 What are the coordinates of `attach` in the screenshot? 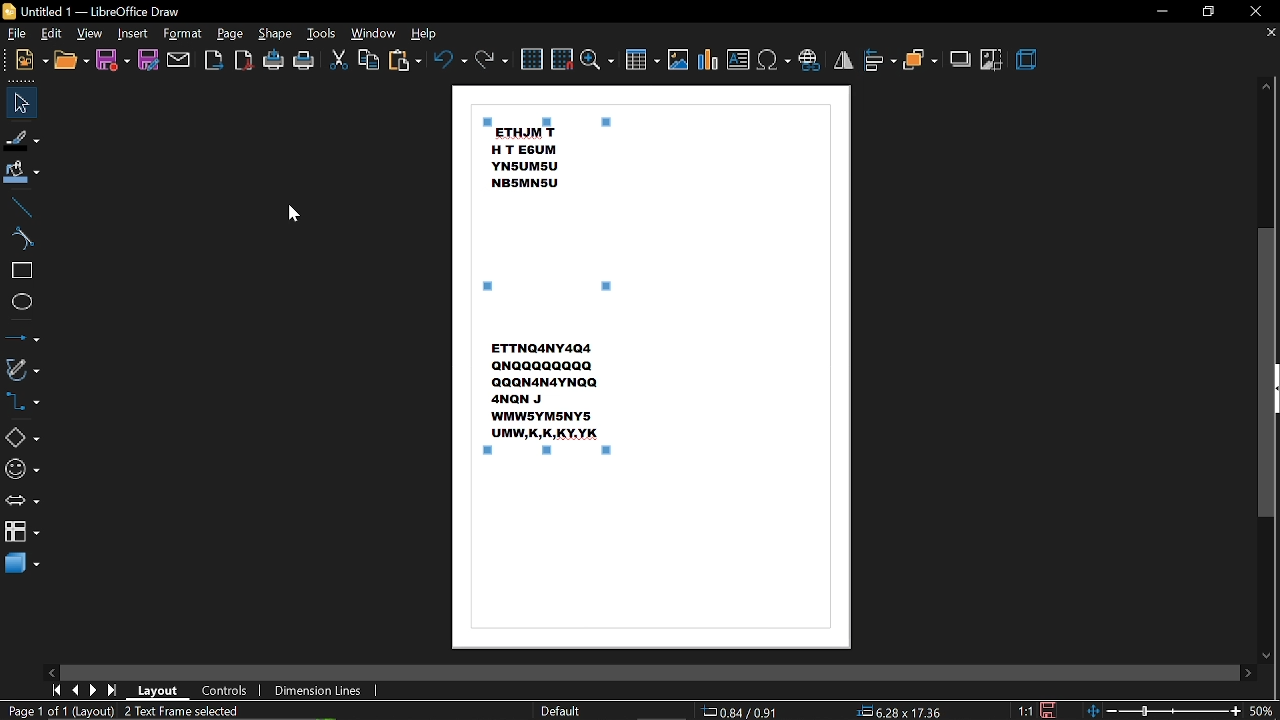 It's located at (180, 60).